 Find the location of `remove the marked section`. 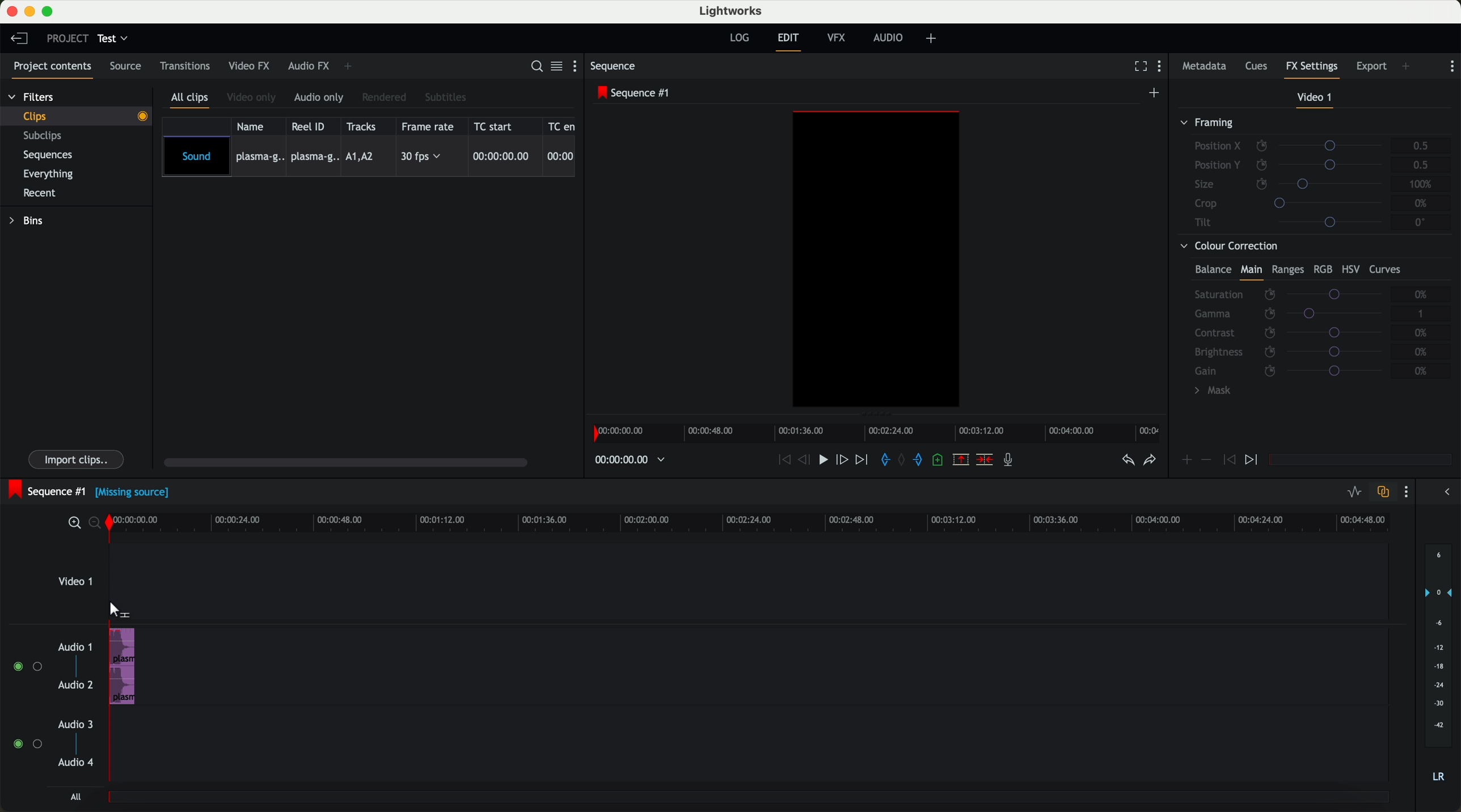

remove the marked section is located at coordinates (961, 460).